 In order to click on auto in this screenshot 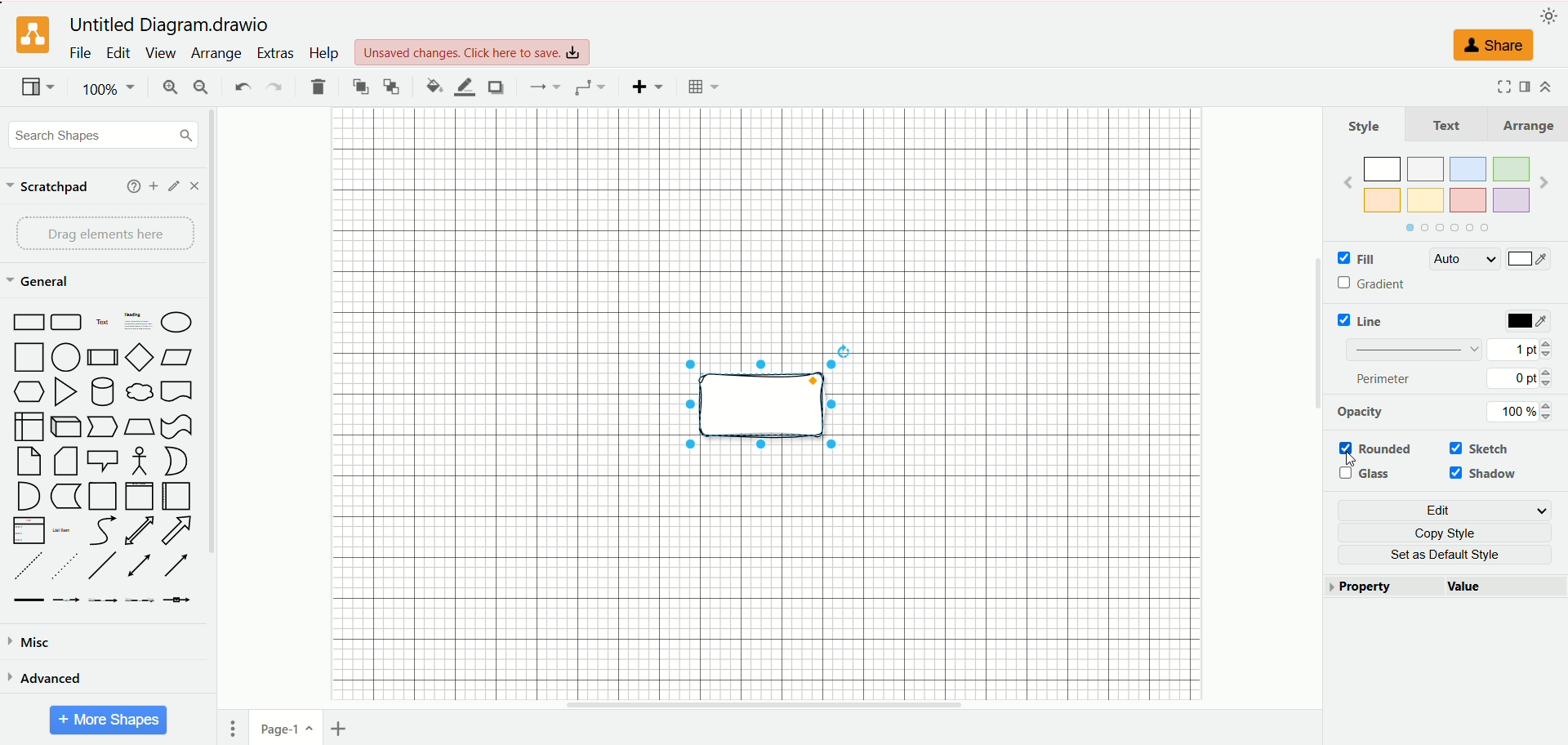, I will do `click(1463, 259)`.